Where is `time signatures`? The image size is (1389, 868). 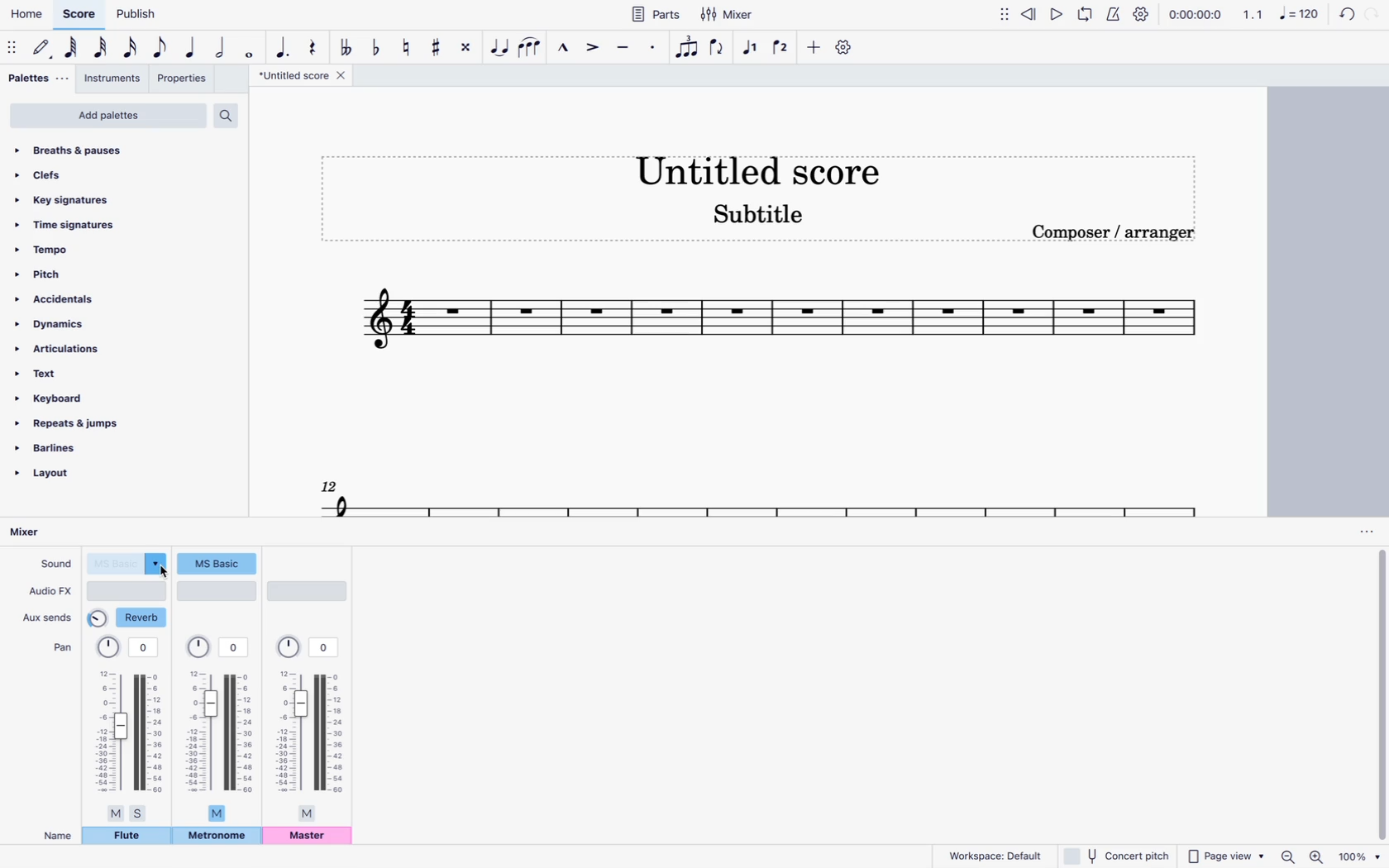 time signatures is located at coordinates (82, 227).